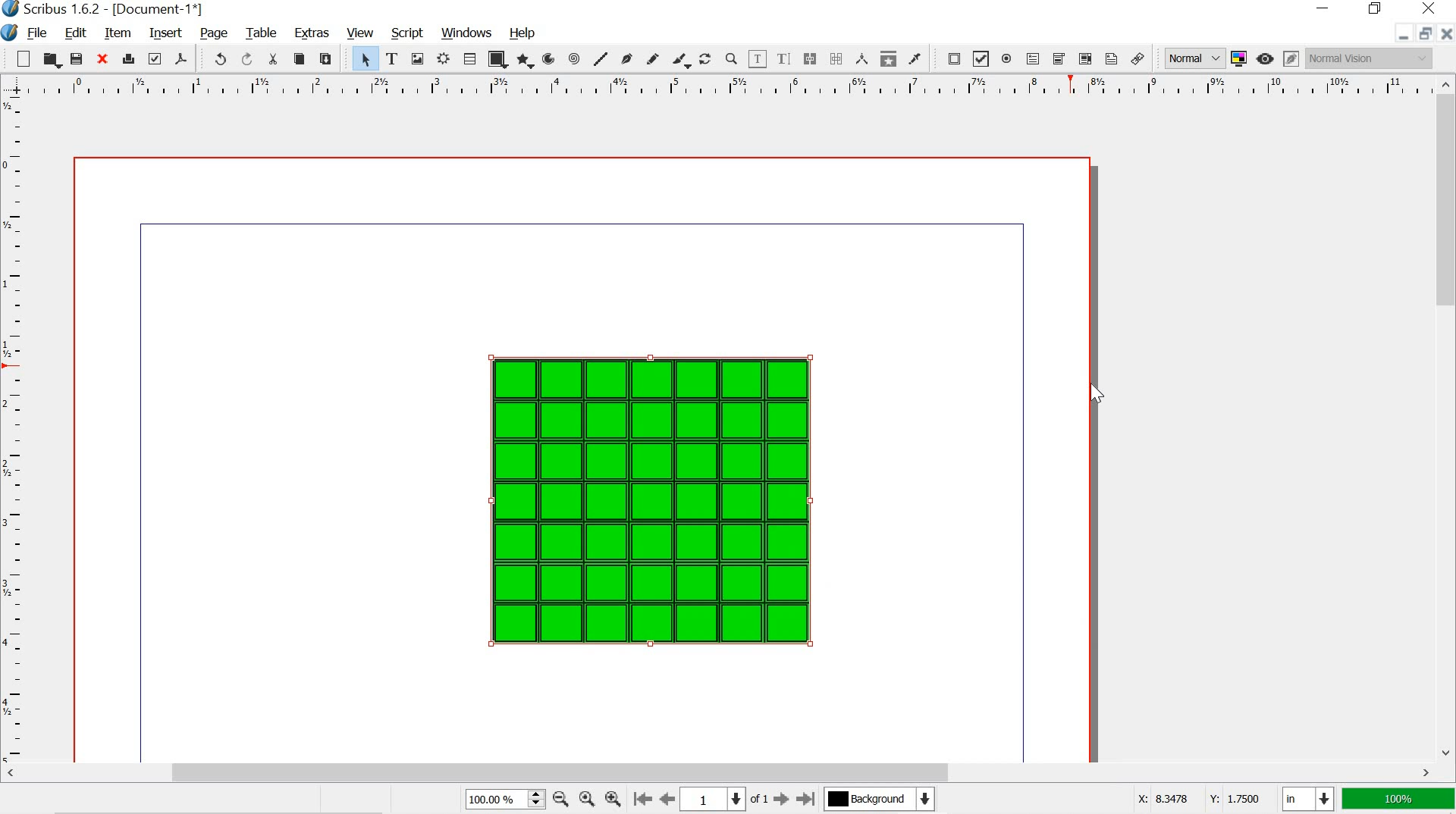 The image size is (1456, 814). Describe the element at coordinates (472, 58) in the screenshot. I see `table` at that location.